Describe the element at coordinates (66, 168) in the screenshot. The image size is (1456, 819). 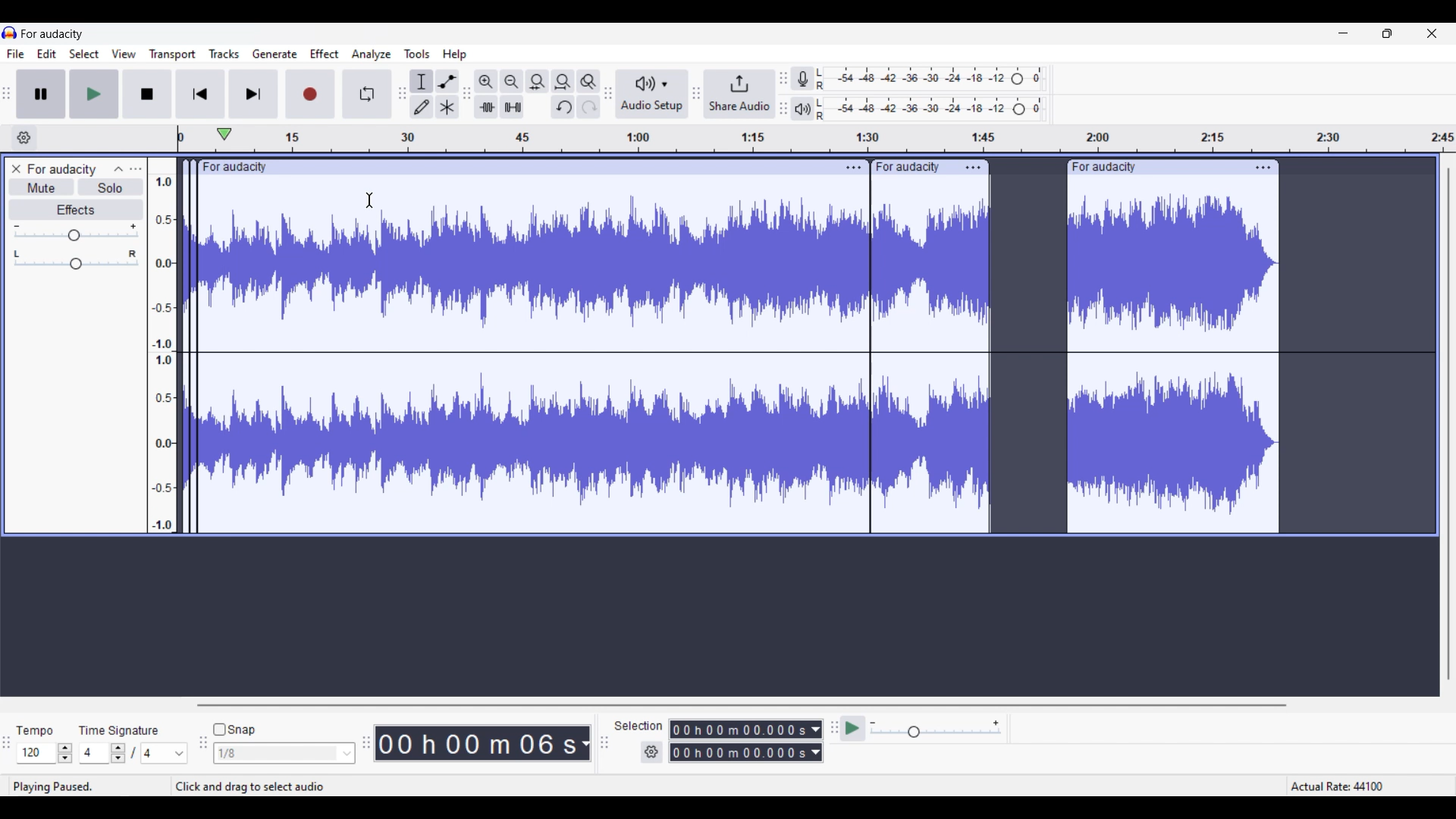
I see `For audacity` at that location.